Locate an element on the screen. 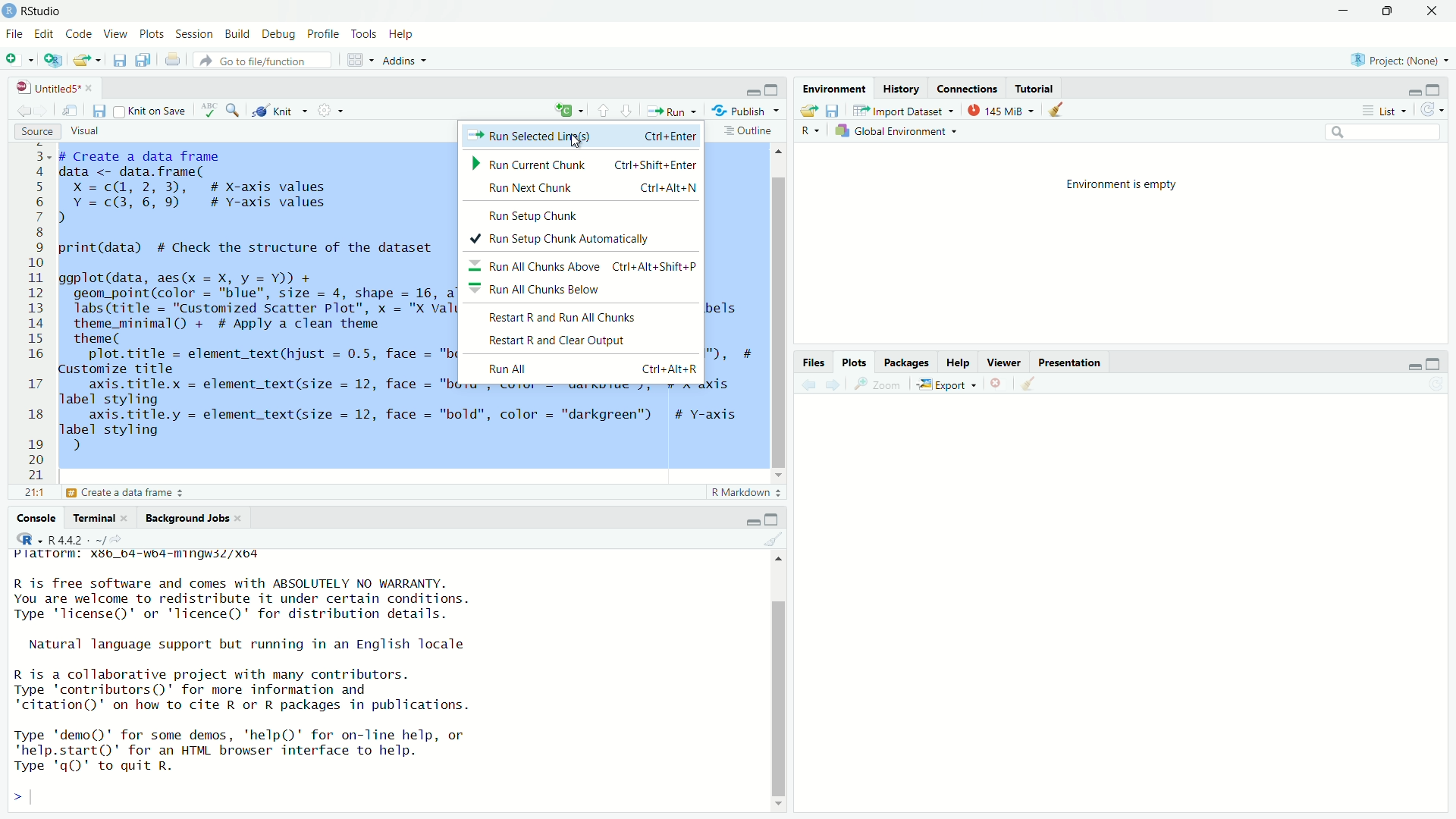 Image resolution: width=1456 pixels, height=819 pixels. Clear console is located at coordinates (1032, 385).